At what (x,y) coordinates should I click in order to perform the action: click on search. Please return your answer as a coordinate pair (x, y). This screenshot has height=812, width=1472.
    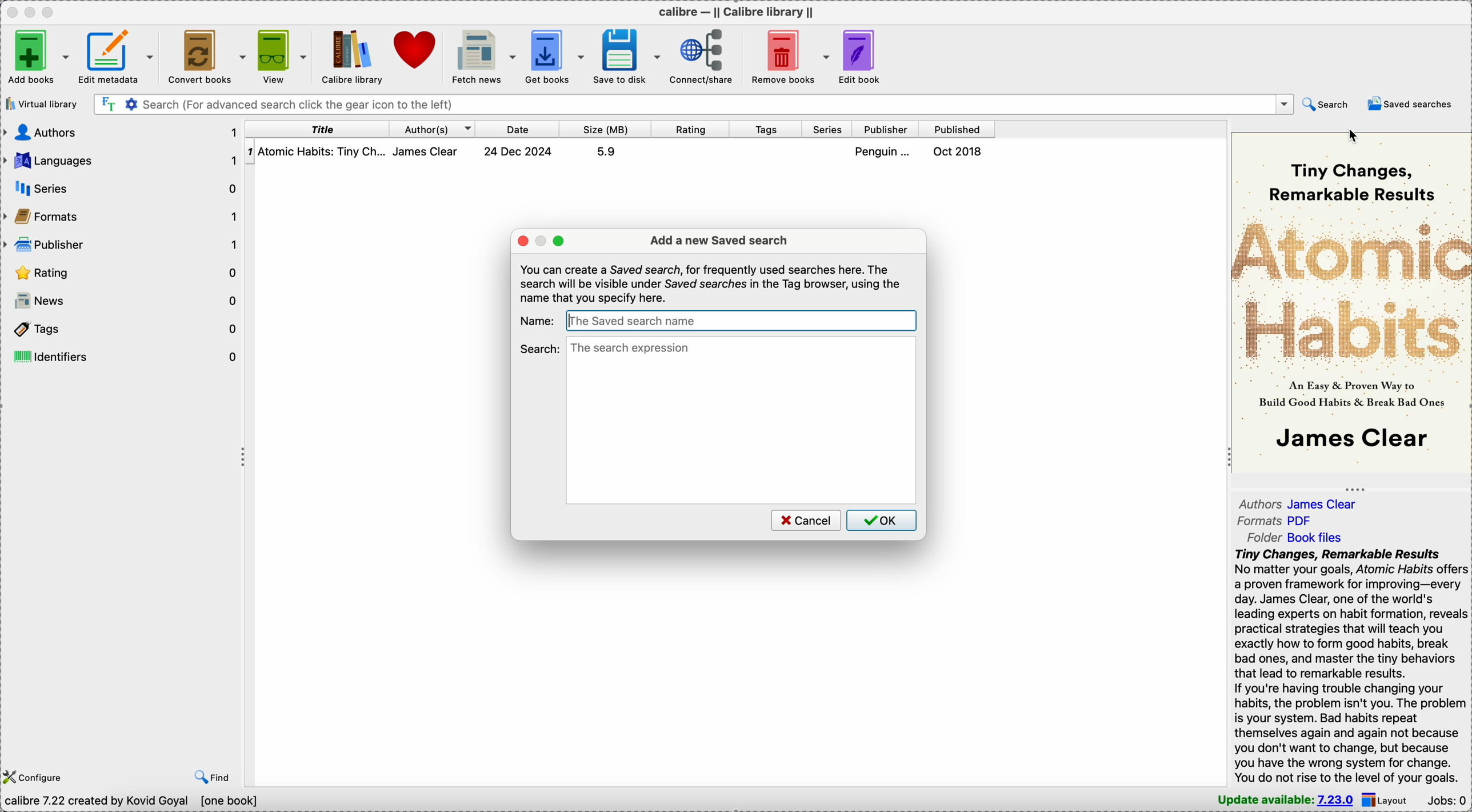
    Looking at the image, I should click on (540, 348).